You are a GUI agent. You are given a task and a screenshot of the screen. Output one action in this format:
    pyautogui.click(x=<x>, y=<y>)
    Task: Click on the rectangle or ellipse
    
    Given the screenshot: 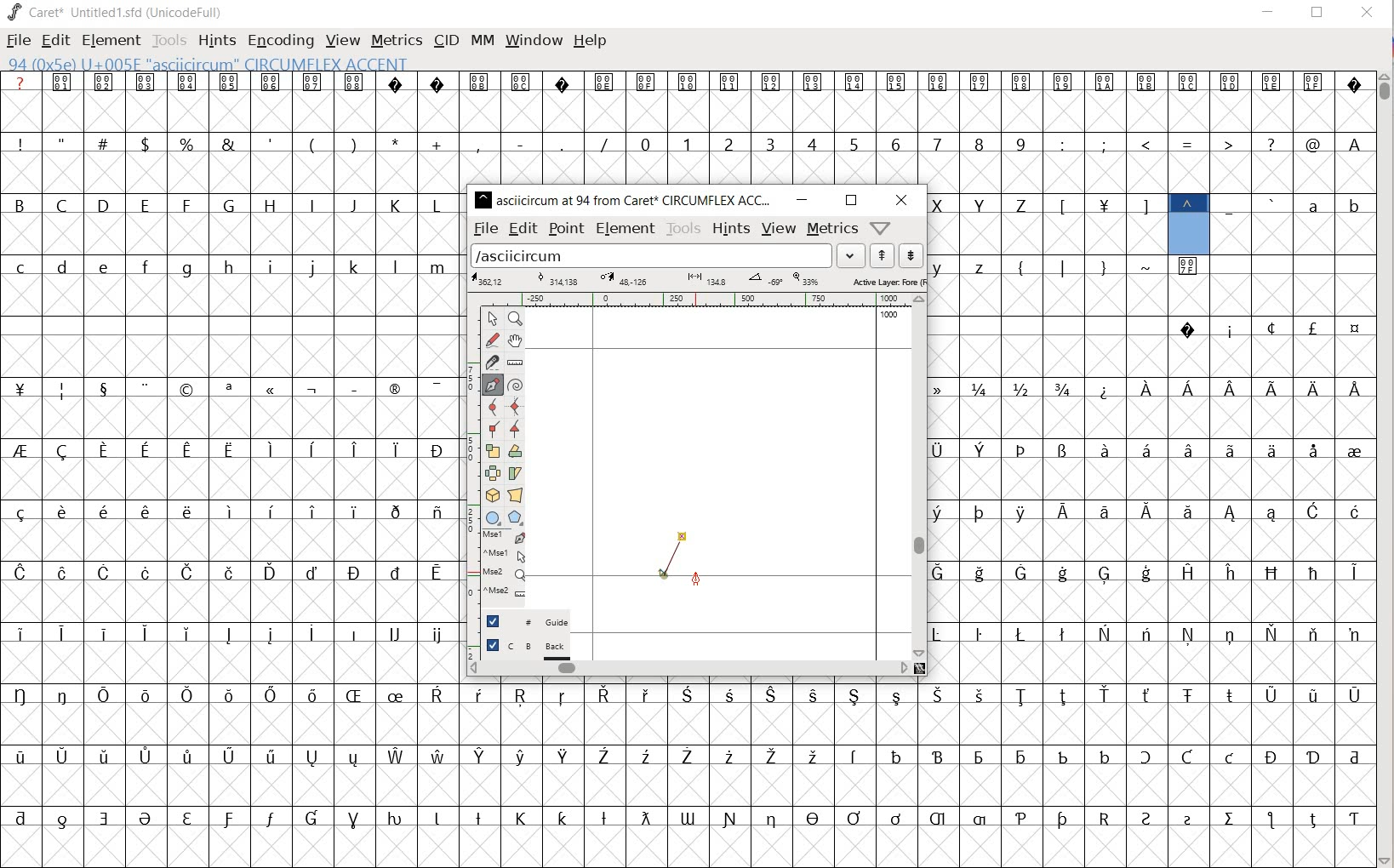 What is the action you would take?
    pyautogui.click(x=494, y=517)
    